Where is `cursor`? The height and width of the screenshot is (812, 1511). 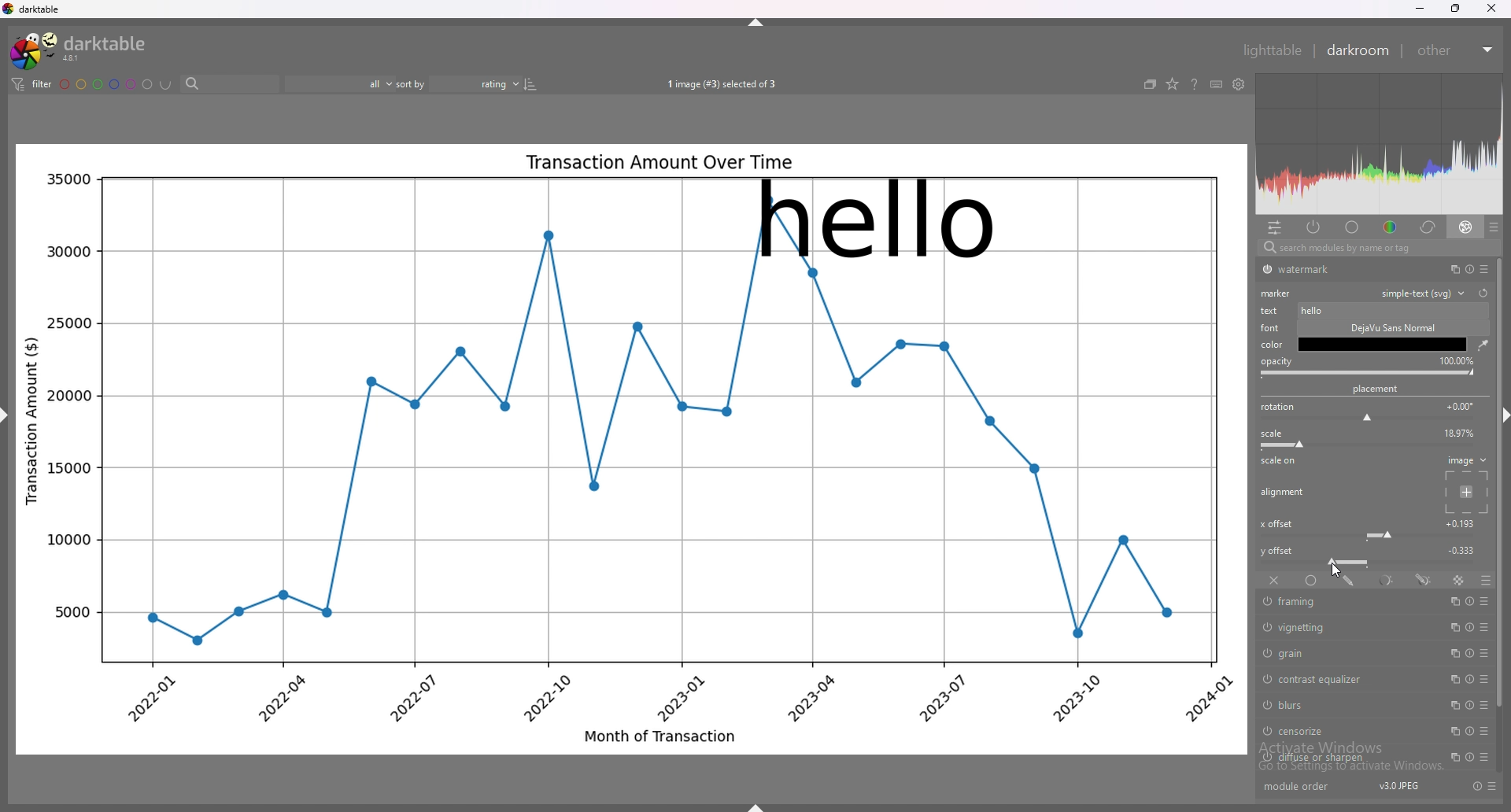
cursor is located at coordinates (1336, 572).